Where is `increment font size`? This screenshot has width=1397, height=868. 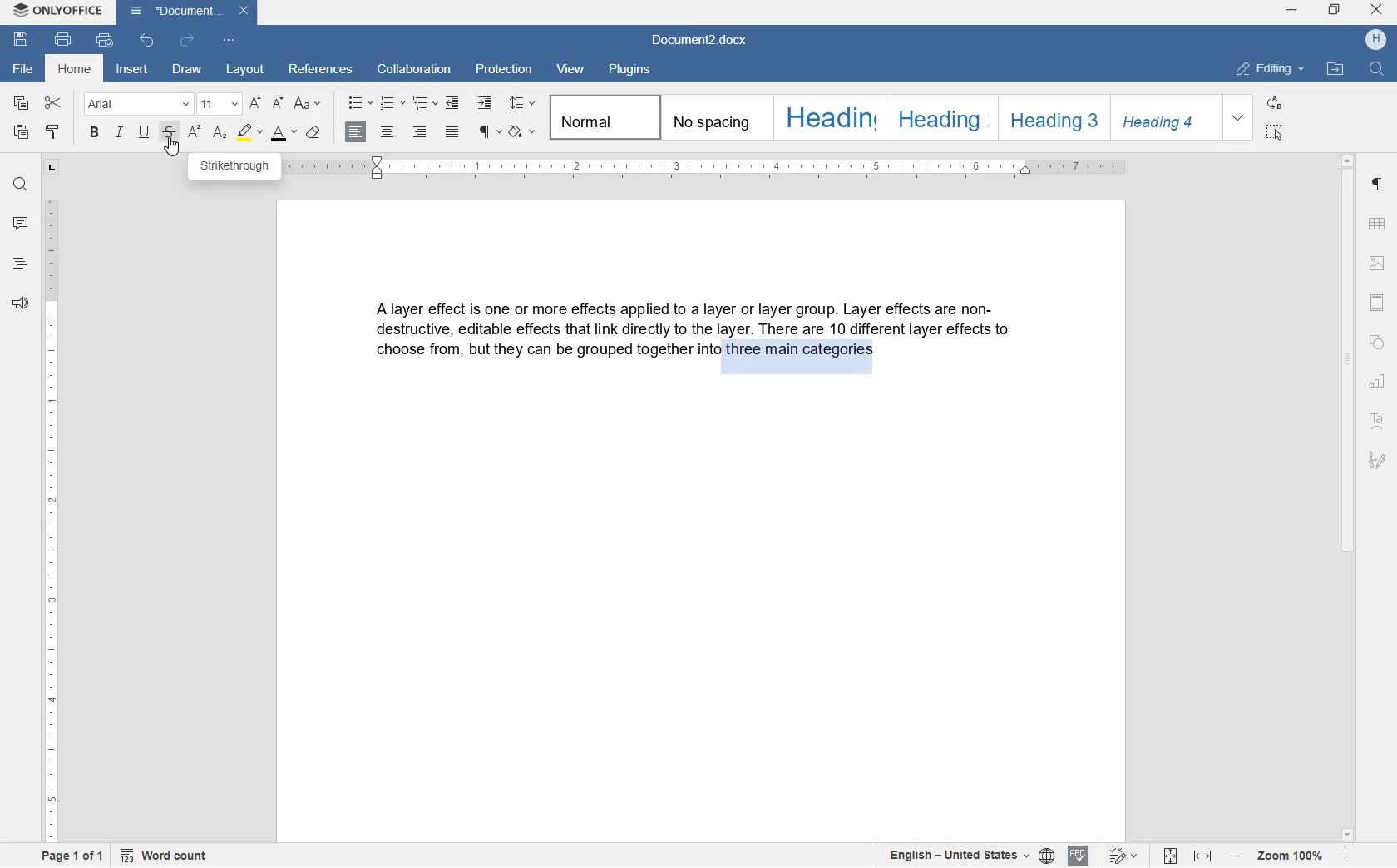
increment font size is located at coordinates (256, 102).